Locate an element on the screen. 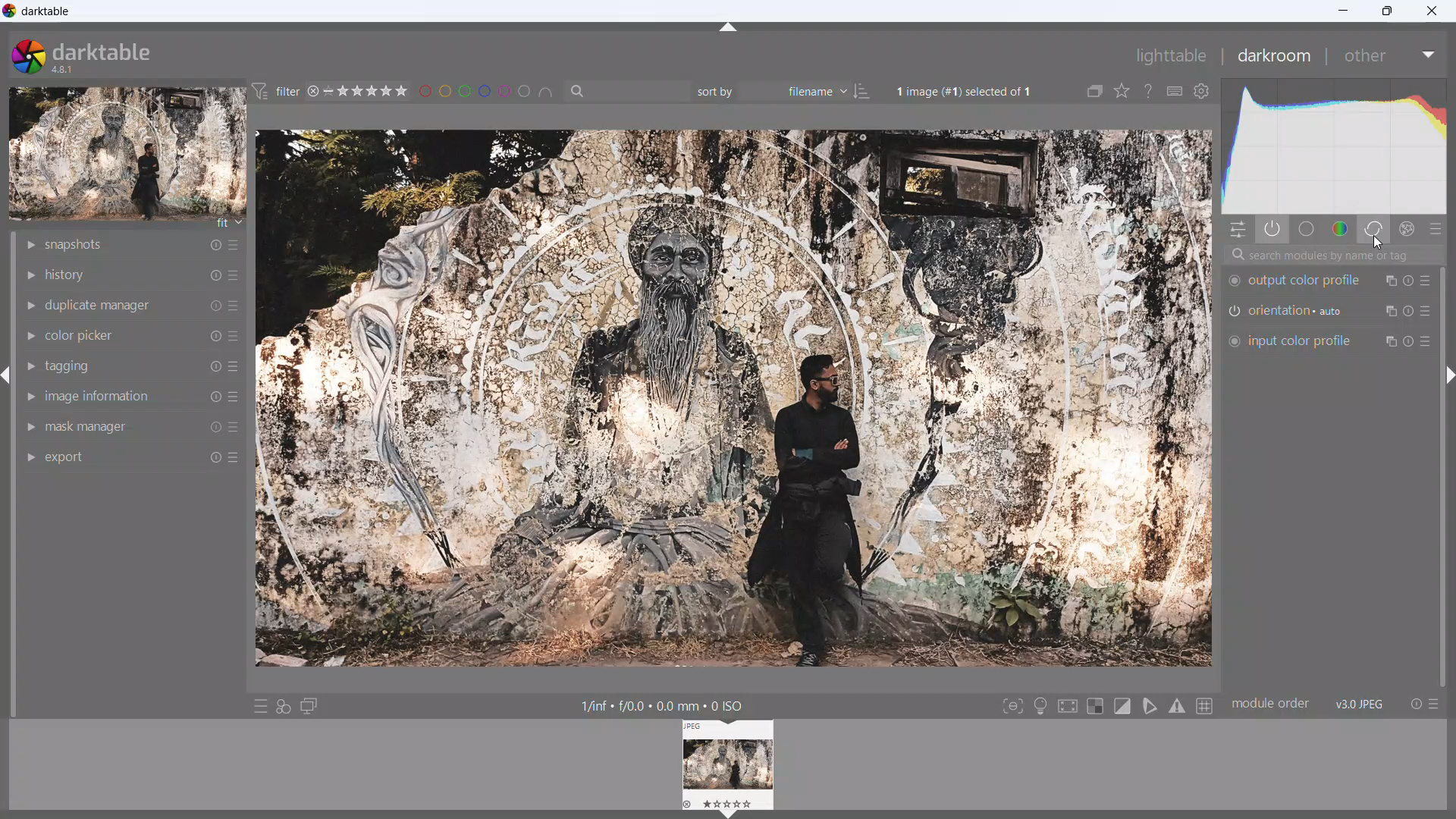  image is located at coordinates (735, 396).